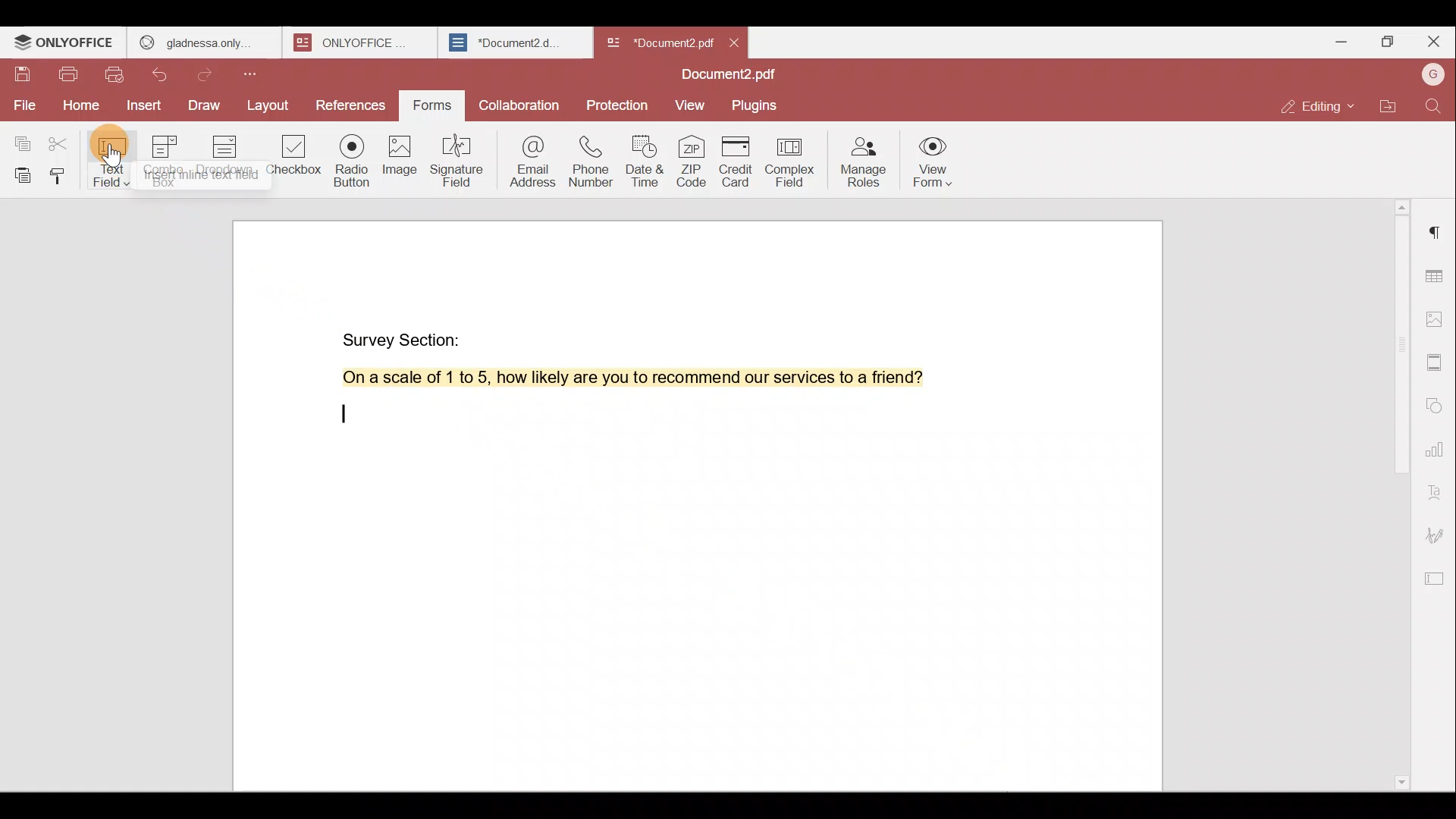 The width and height of the screenshot is (1456, 819). What do you see at coordinates (1438, 576) in the screenshot?
I see `Form settings` at bounding box center [1438, 576].